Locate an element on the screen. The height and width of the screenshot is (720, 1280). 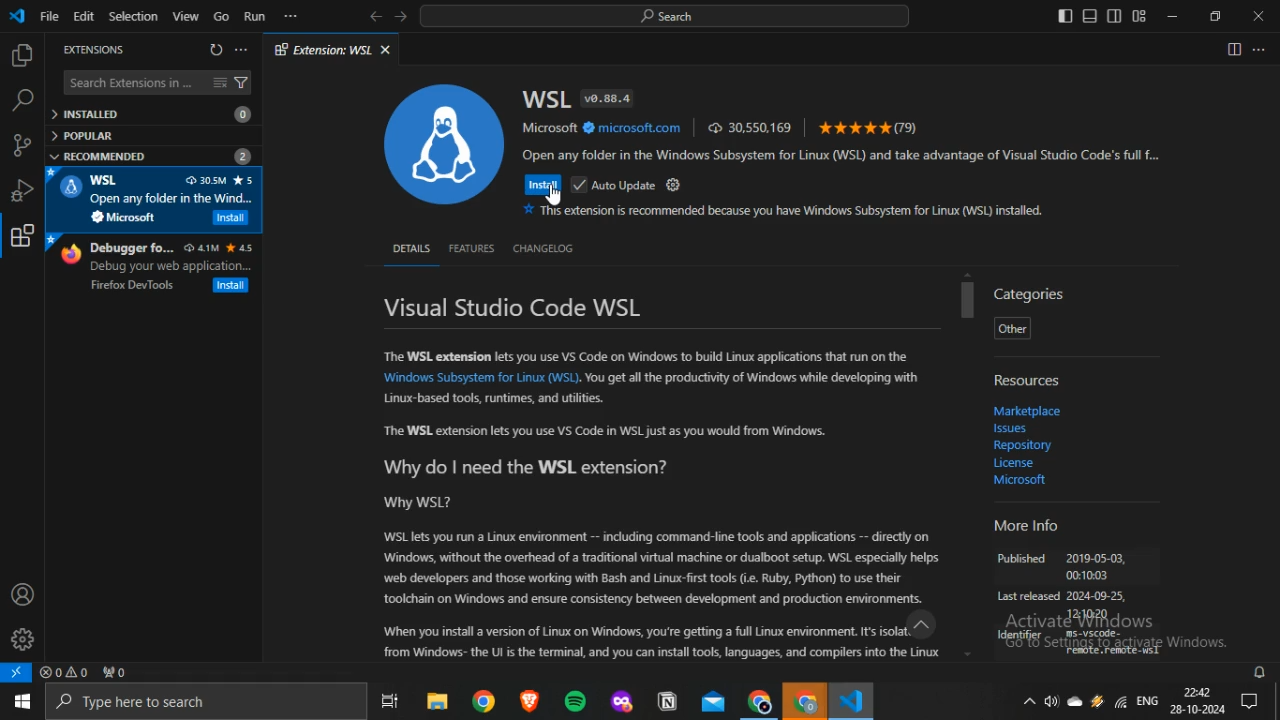
Go is located at coordinates (221, 16).